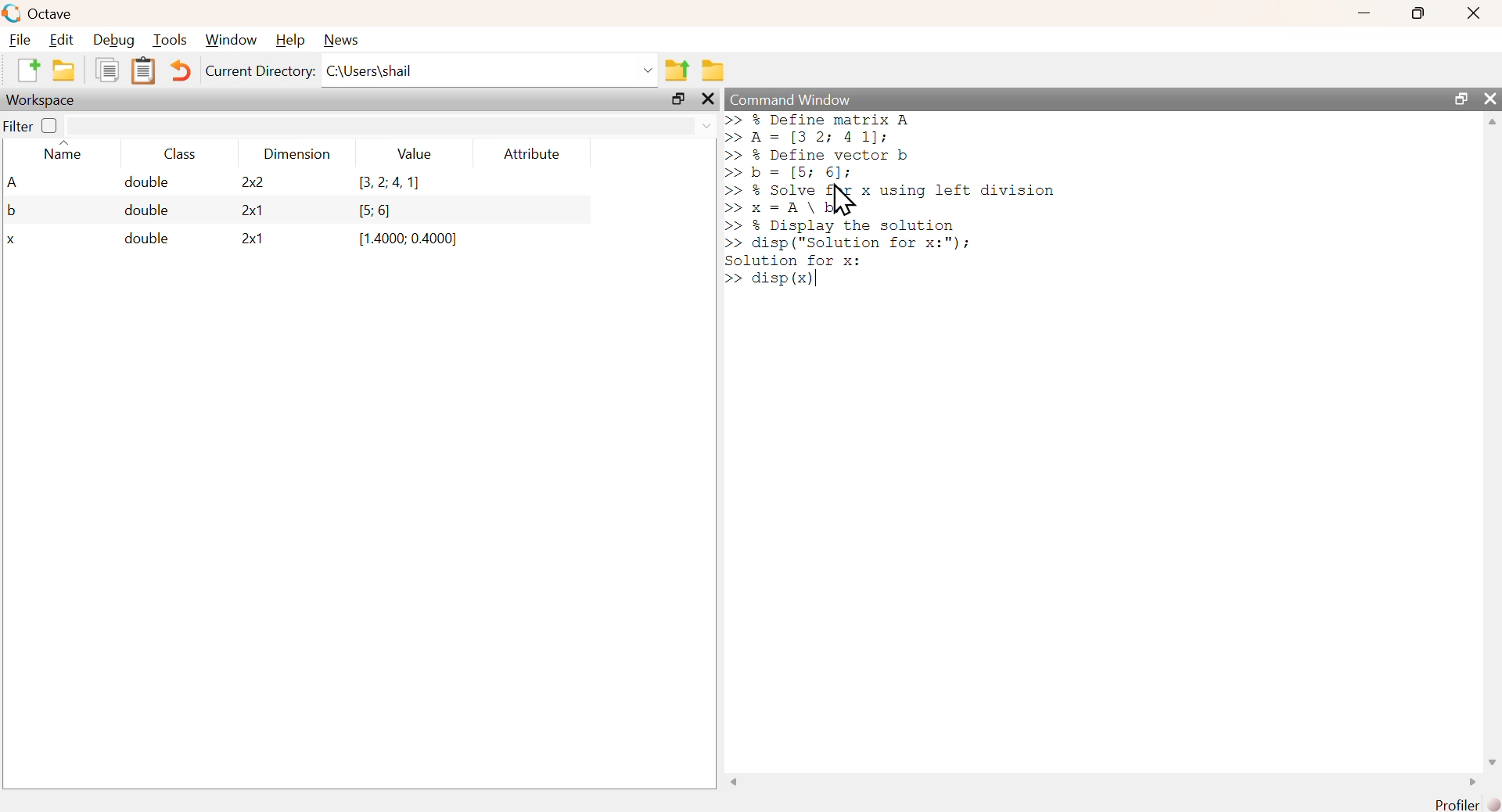  I want to click on profiler, so click(1463, 804).